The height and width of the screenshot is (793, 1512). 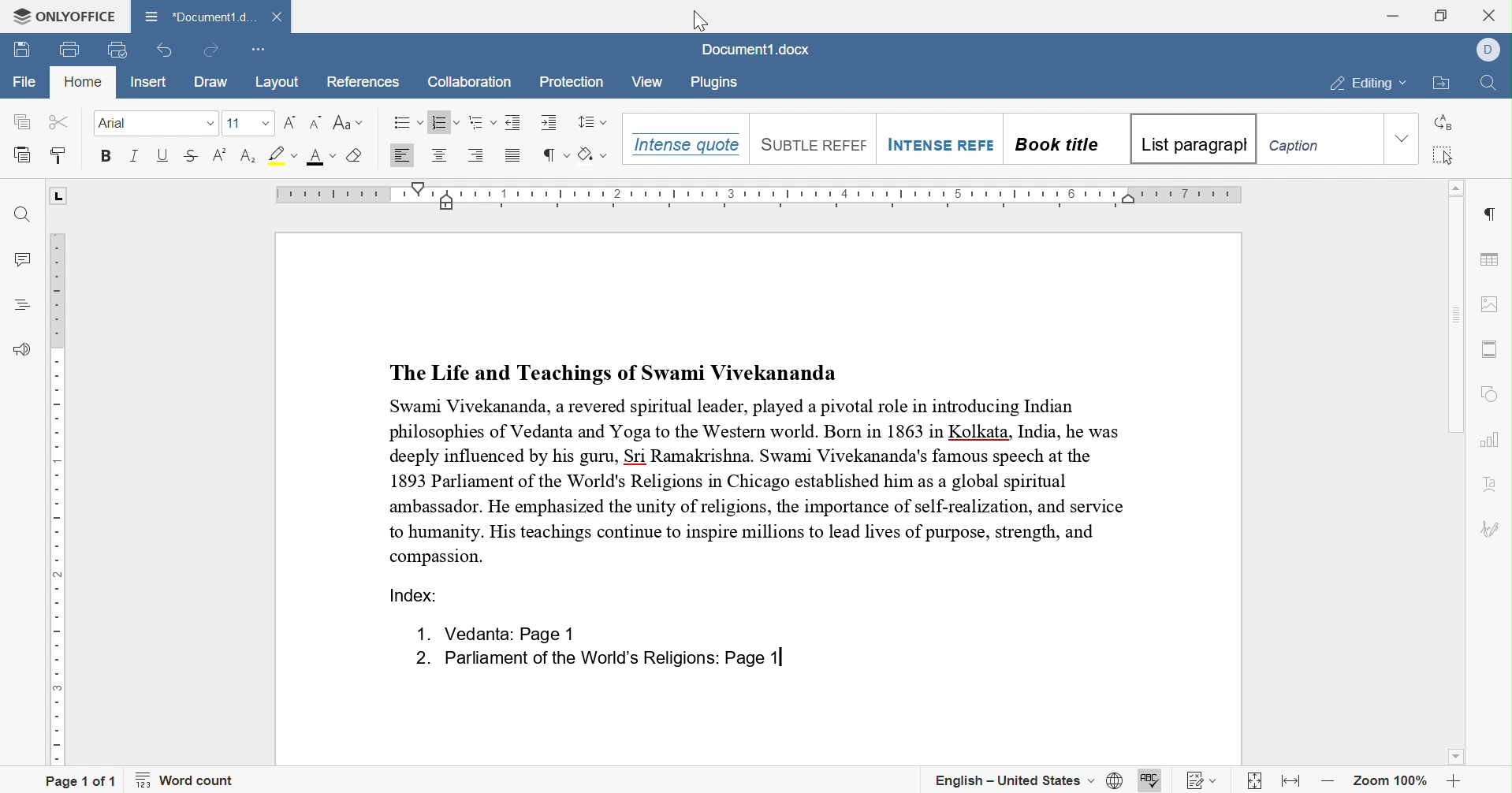 I want to click on italic, so click(x=136, y=156).